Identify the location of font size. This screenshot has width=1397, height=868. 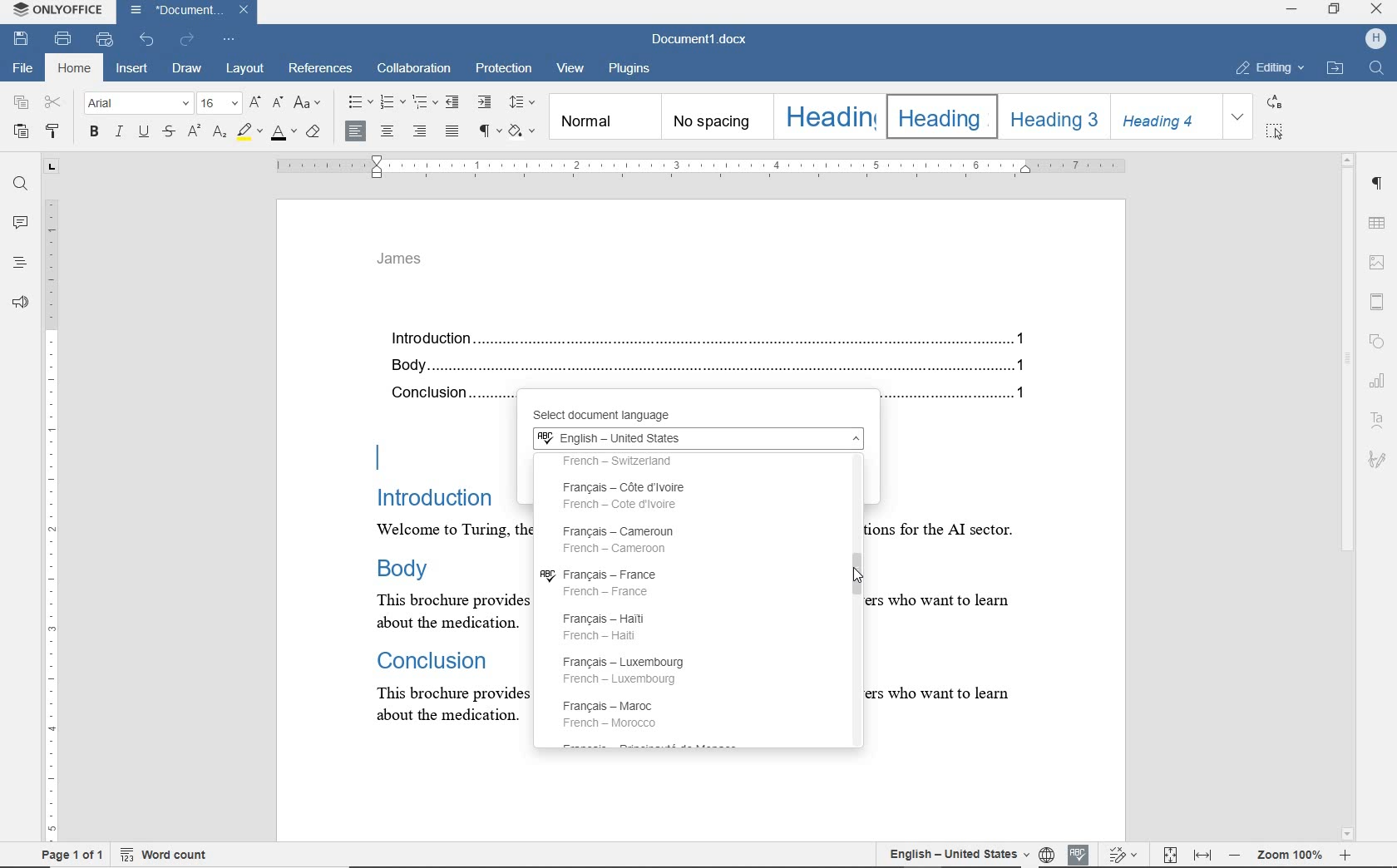
(219, 104).